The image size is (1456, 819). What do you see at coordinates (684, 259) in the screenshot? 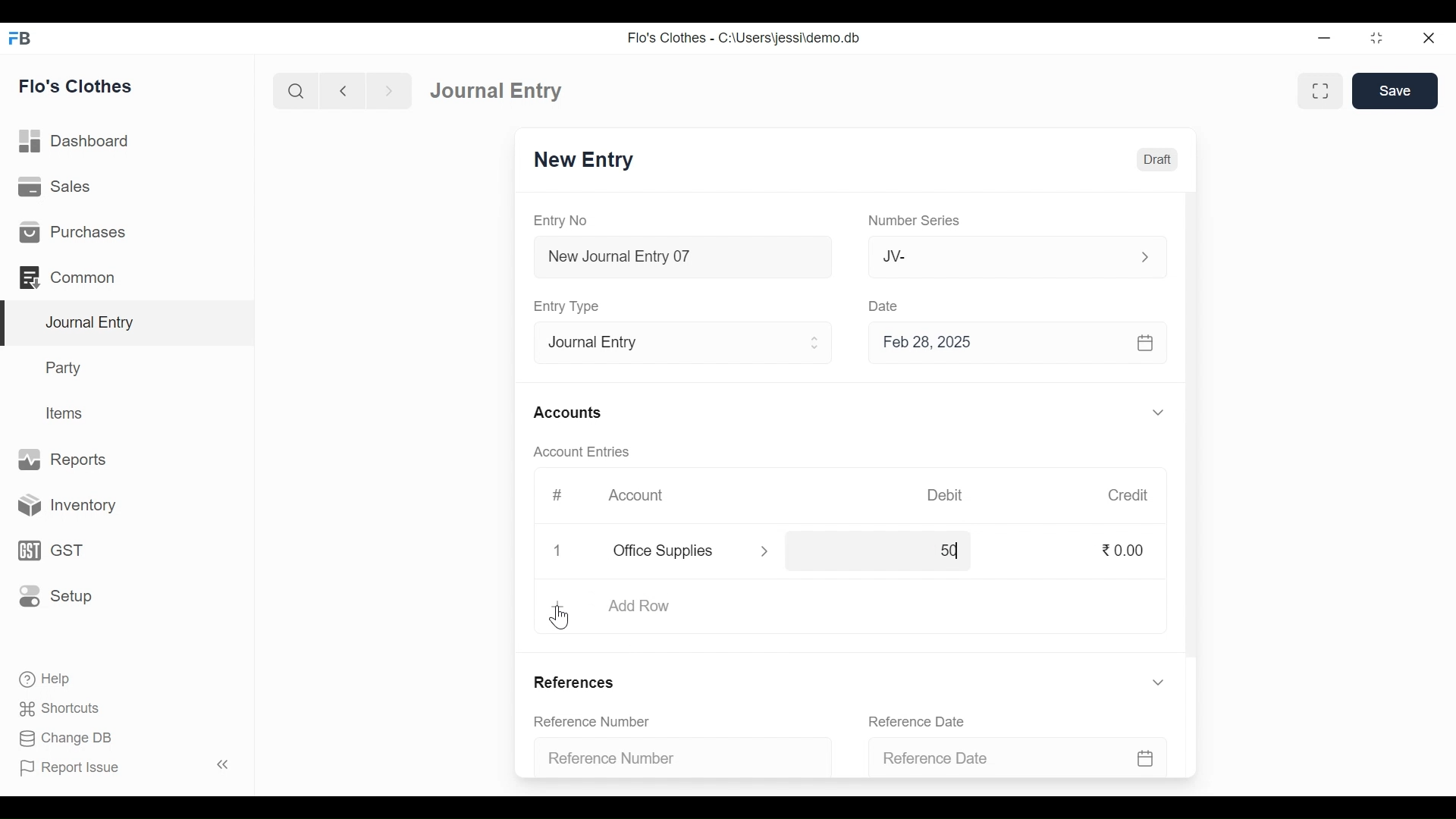
I see `New Journal Entry 07` at bounding box center [684, 259].